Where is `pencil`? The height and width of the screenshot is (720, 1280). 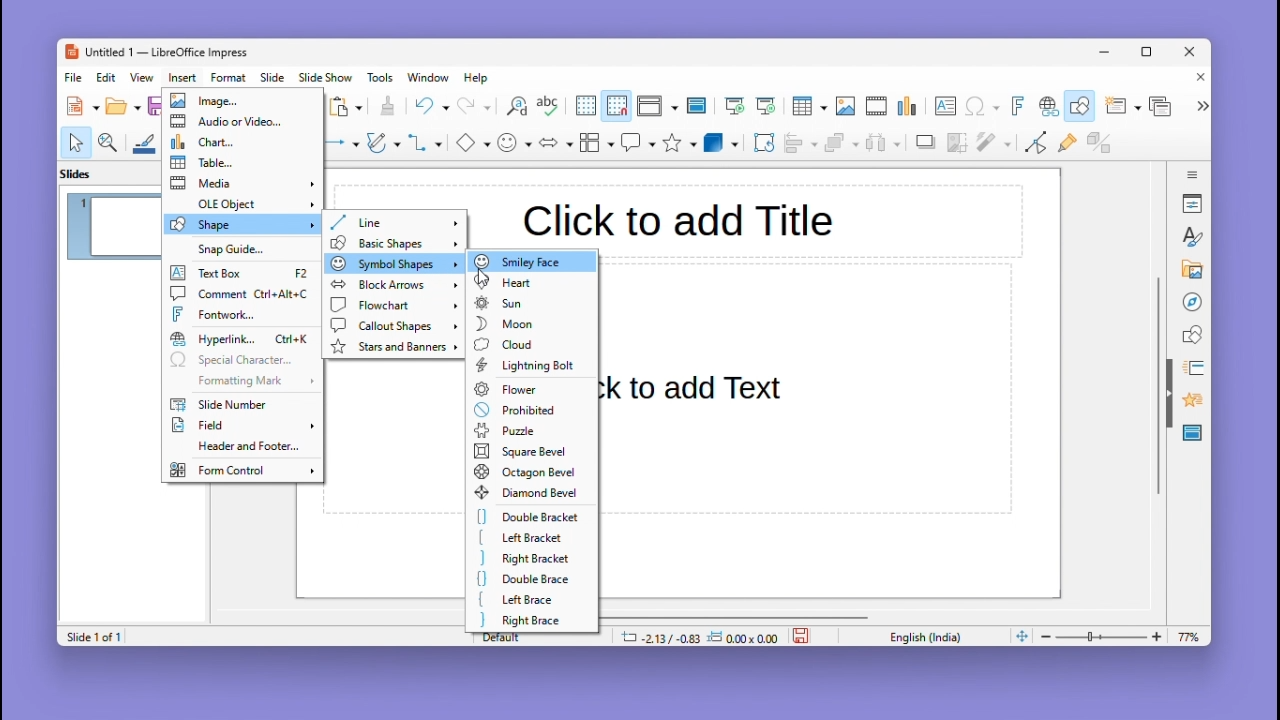 pencil is located at coordinates (383, 145).